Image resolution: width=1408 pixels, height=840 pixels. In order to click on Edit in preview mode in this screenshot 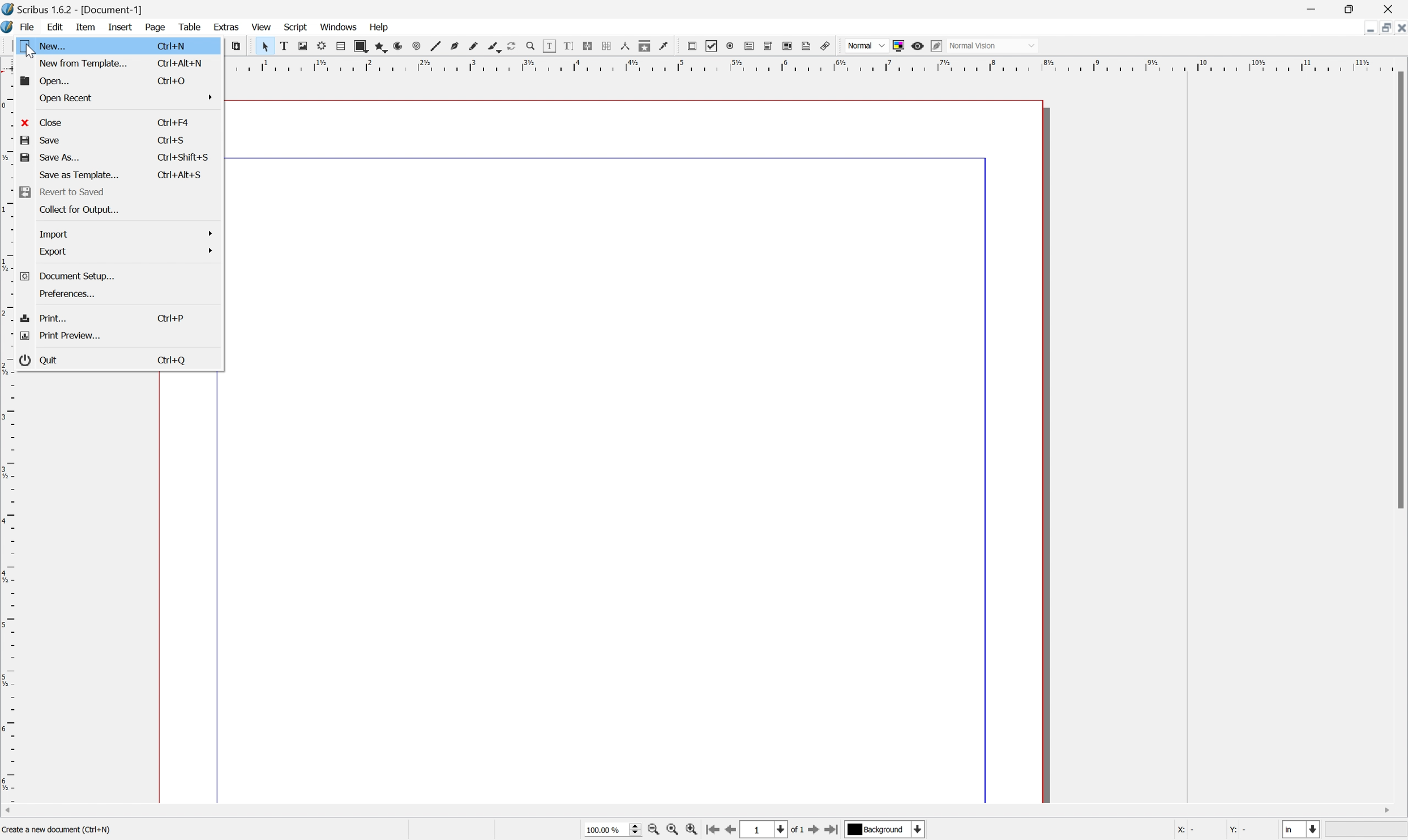, I will do `click(939, 46)`.